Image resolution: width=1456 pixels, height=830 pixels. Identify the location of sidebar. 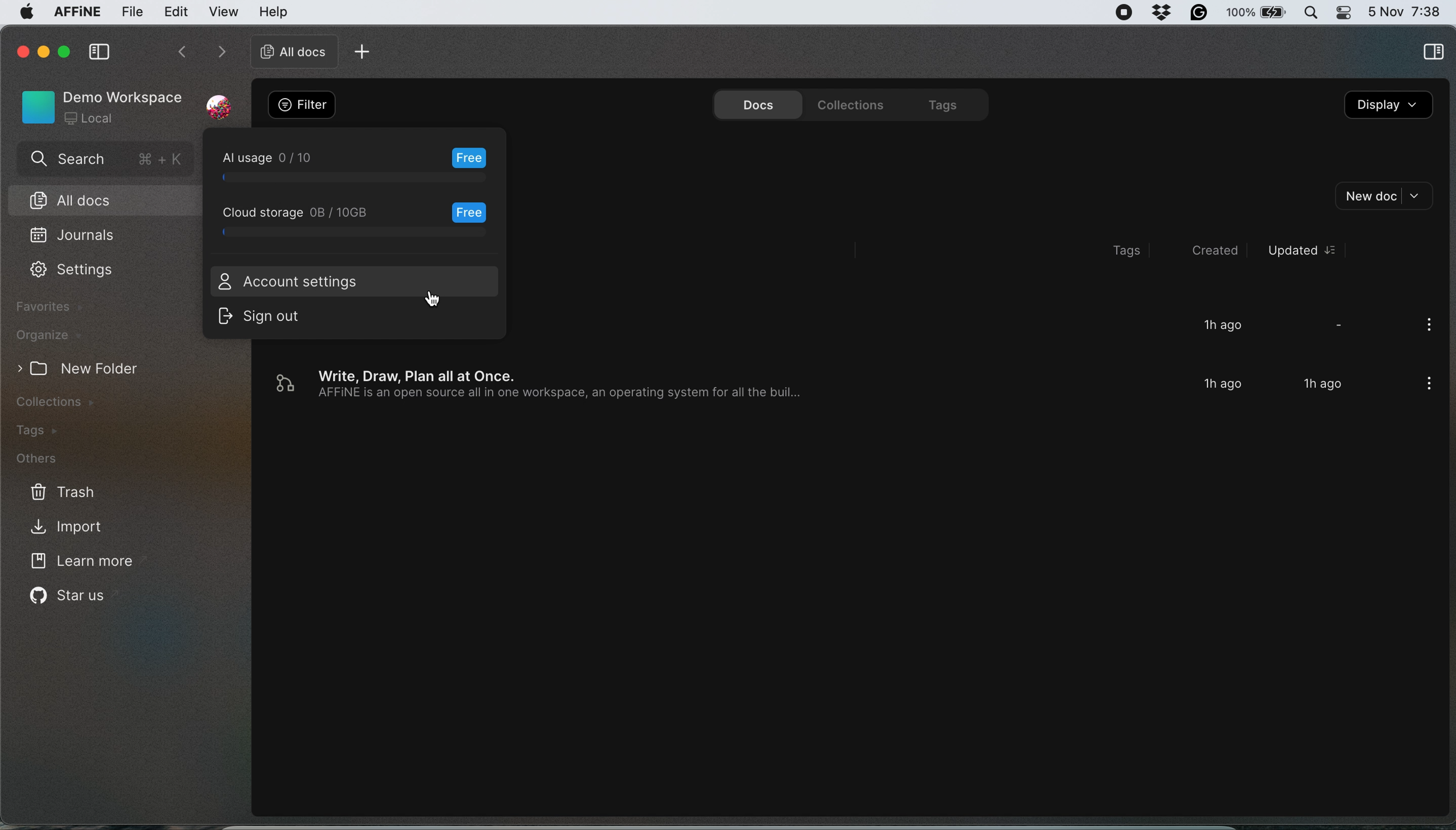
(1433, 54).